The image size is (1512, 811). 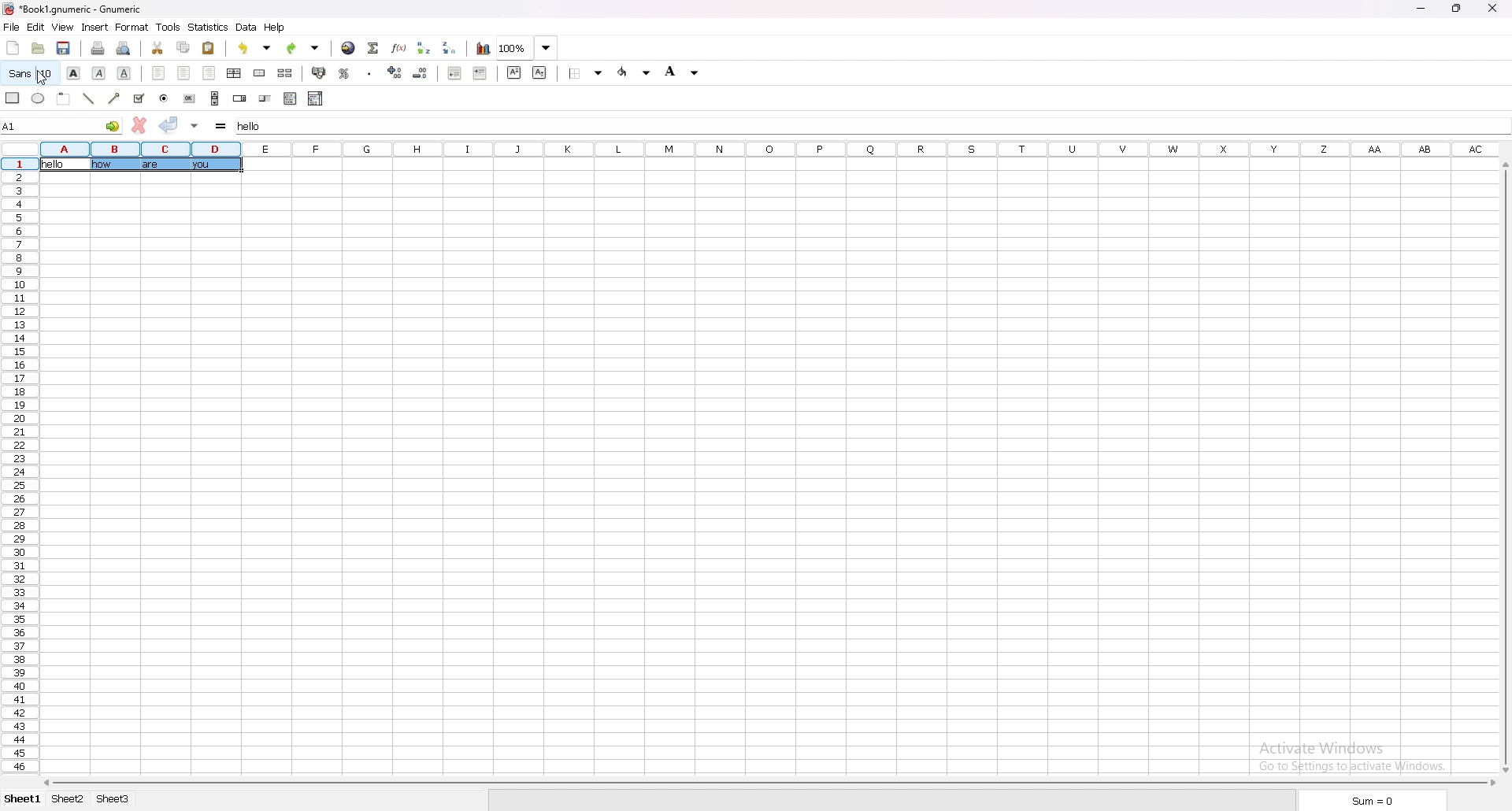 I want to click on slider, so click(x=265, y=98).